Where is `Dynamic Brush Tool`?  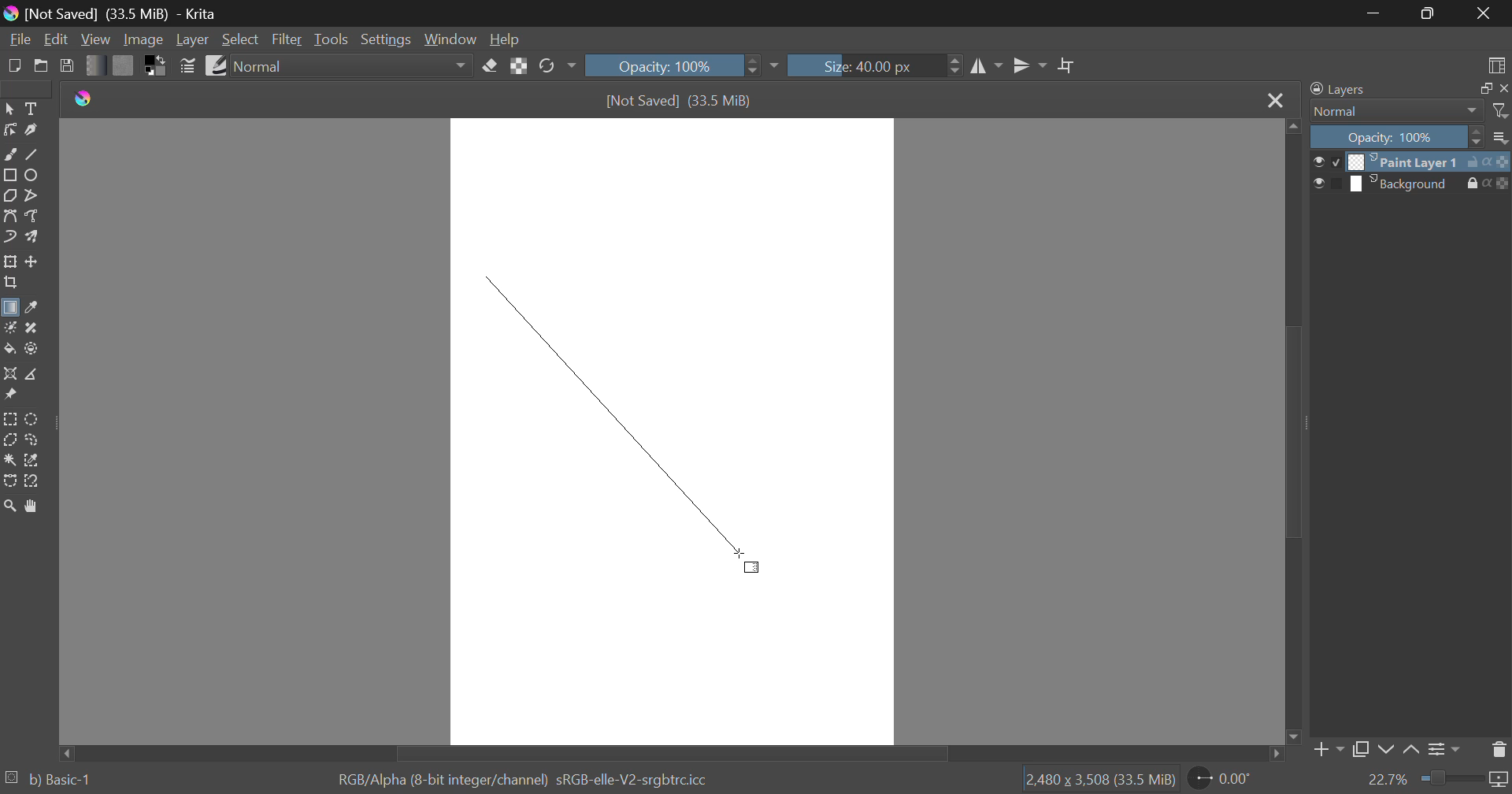 Dynamic Brush Tool is located at coordinates (9, 238).